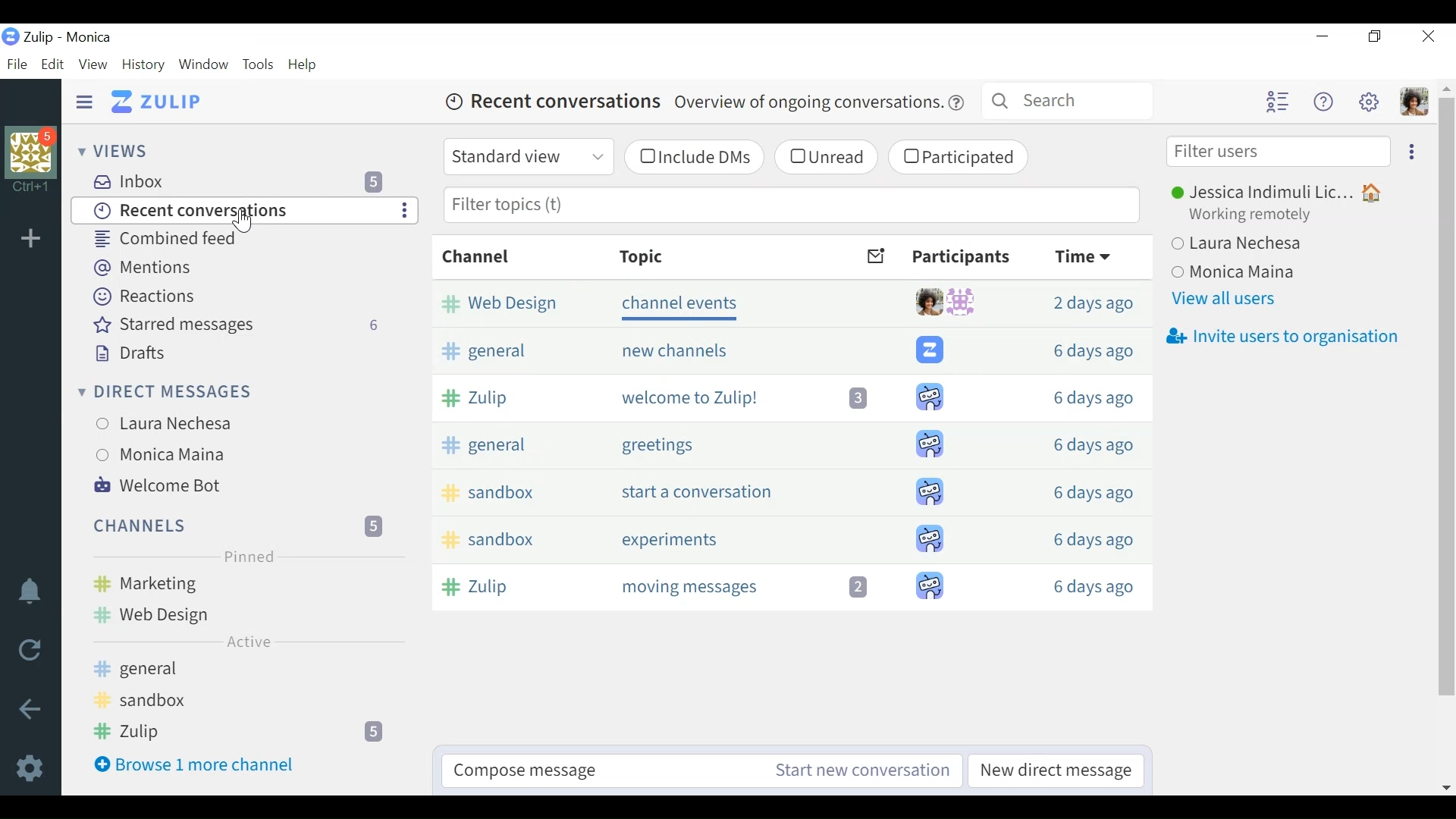 This screenshot has height=819, width=1456. What do you see at coordinates (962, 258) in the screenshot?
I see `Participants` at bounding box center [962, 258].